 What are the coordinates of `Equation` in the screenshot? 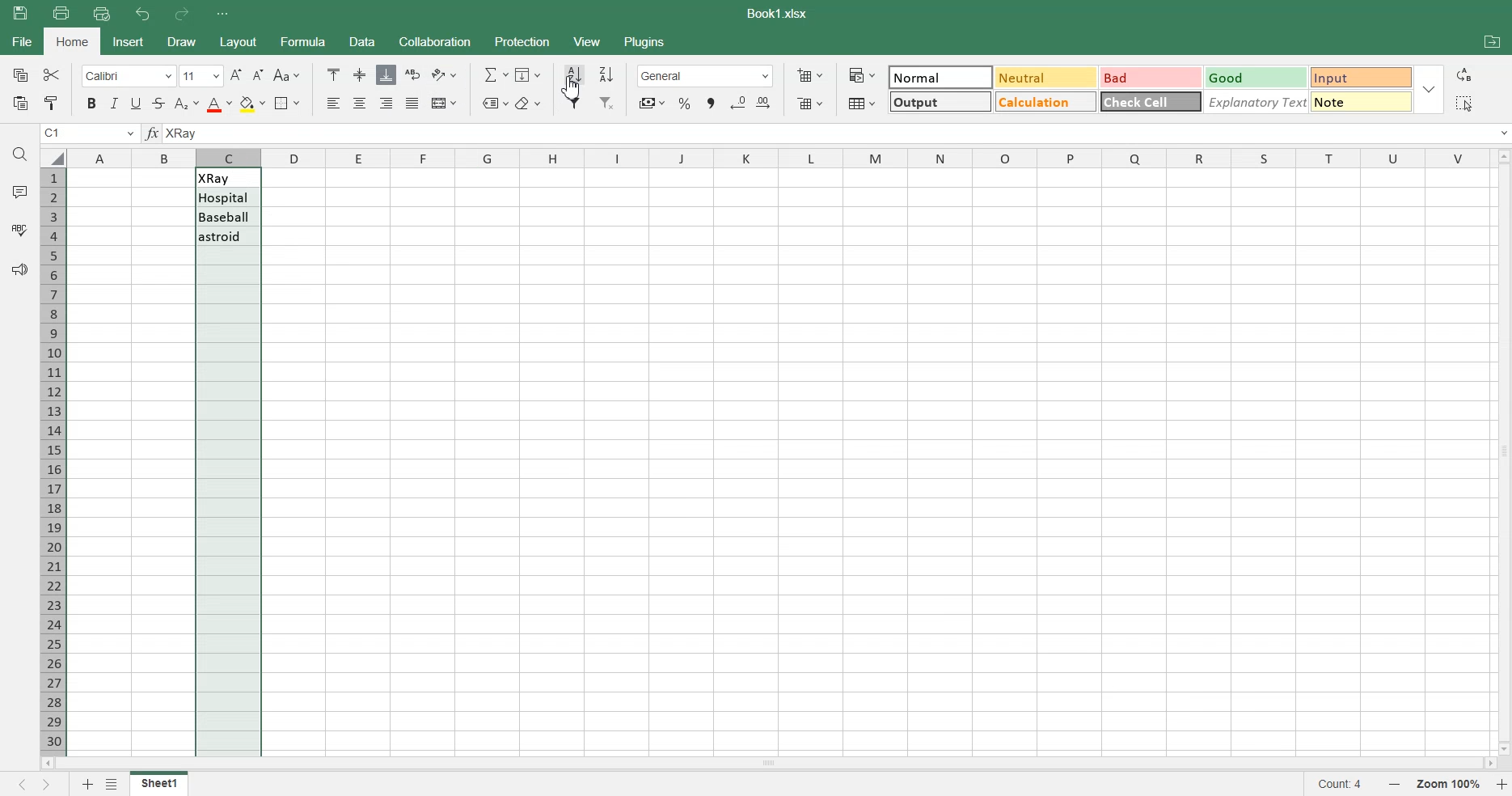 It's located at (495, 74).